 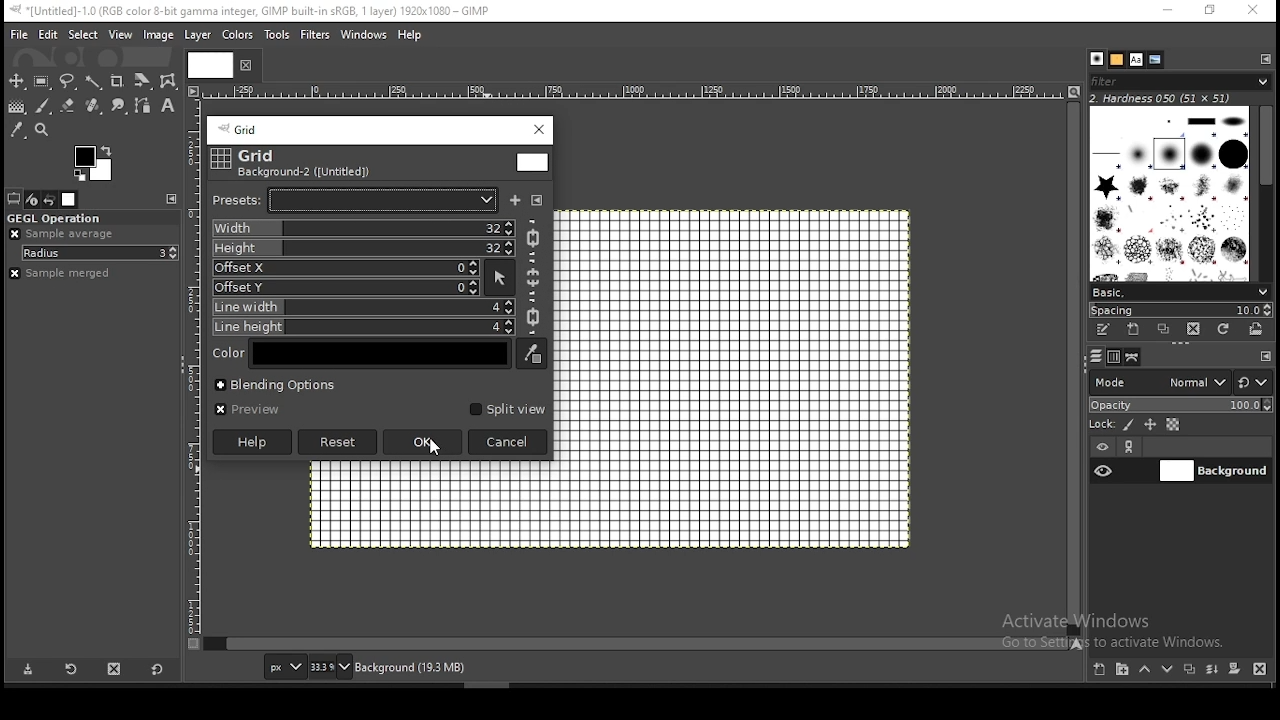 What do you see at coordinates (208, 64) in the screenshot?
I see `tab` at bounding box center [208, 64].